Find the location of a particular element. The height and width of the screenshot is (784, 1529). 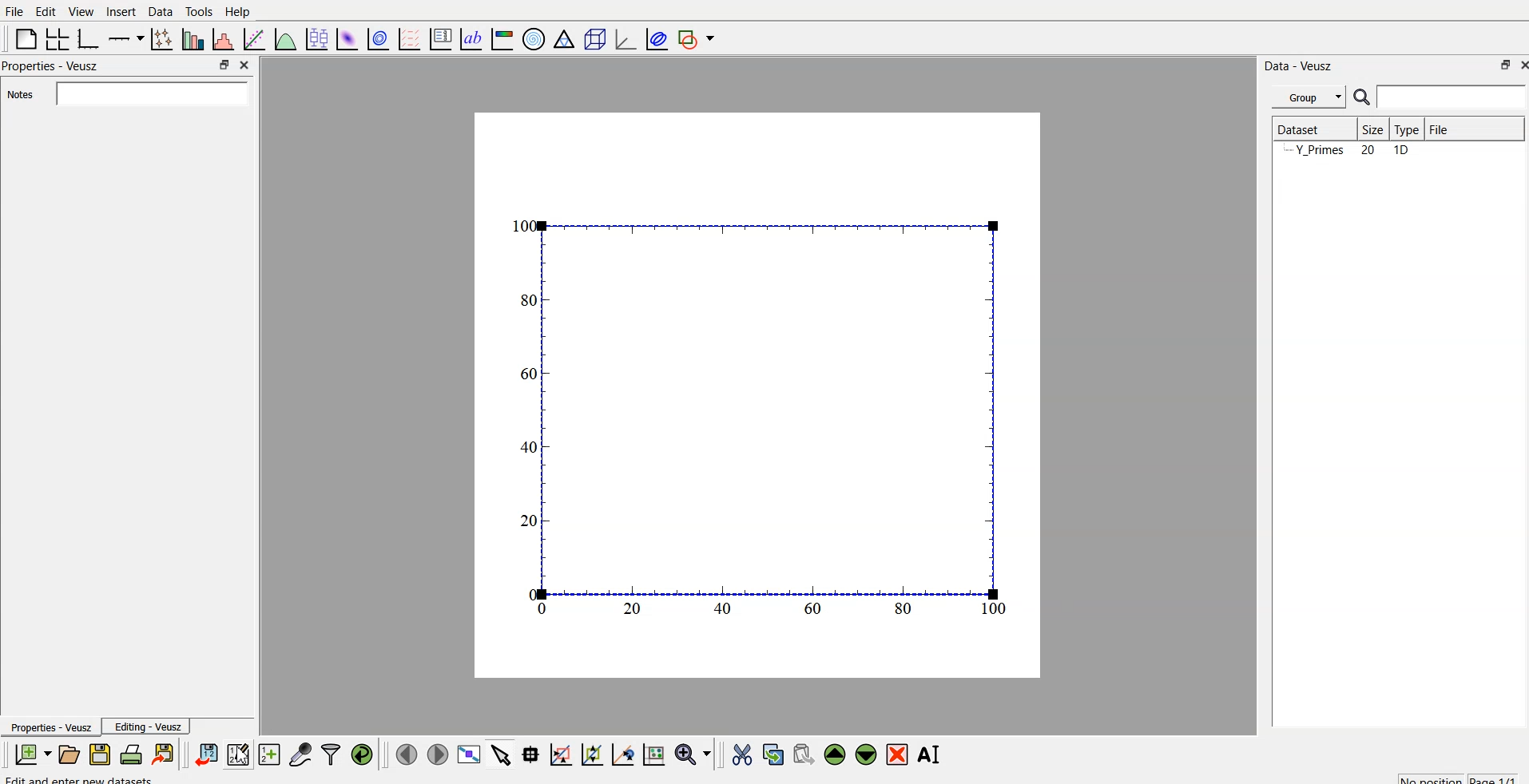

maximize is located at coordinates (220, 65).